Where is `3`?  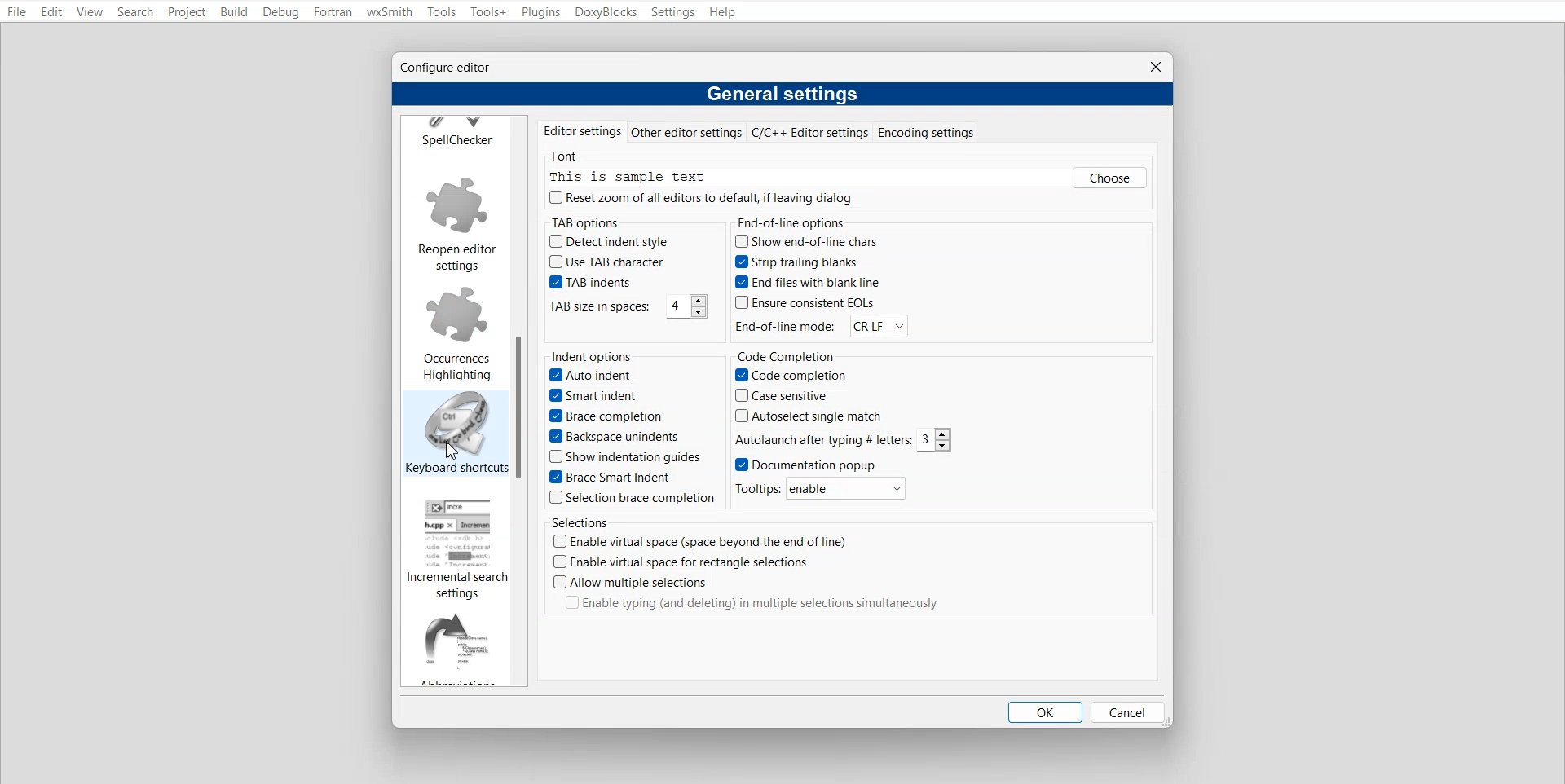 3 is located at coordinates (936, 440).